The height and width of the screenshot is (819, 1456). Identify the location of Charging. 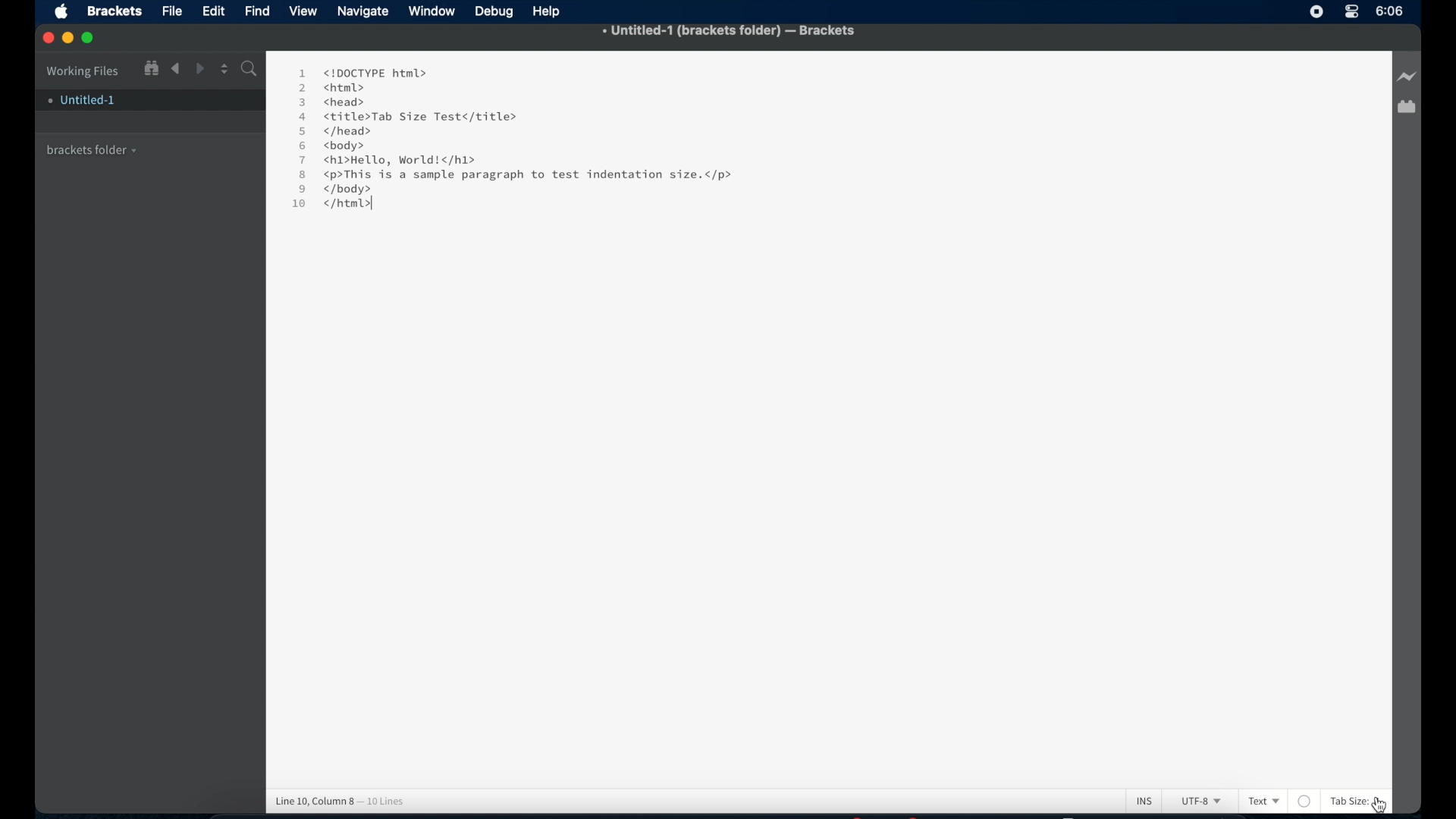
(1406, 77).